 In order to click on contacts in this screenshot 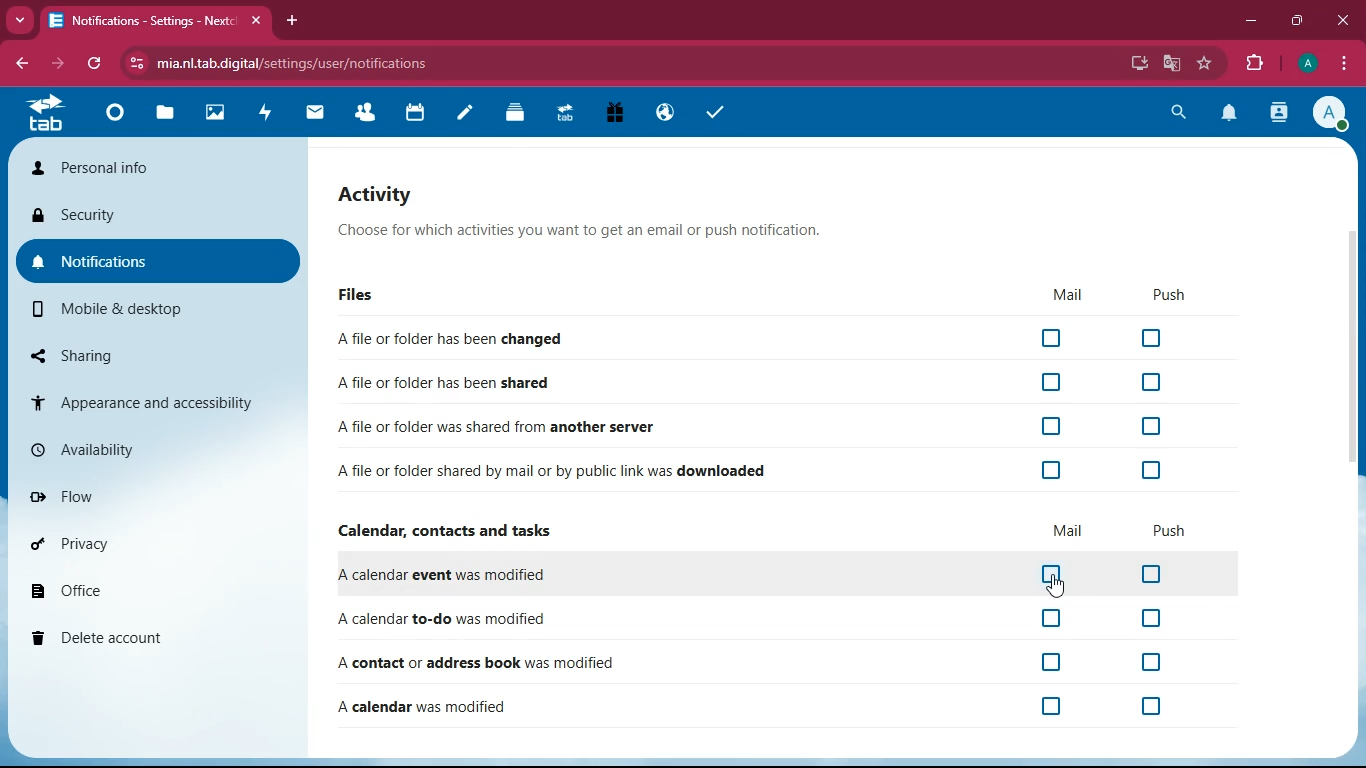, I will do `click(1277, 115)`.